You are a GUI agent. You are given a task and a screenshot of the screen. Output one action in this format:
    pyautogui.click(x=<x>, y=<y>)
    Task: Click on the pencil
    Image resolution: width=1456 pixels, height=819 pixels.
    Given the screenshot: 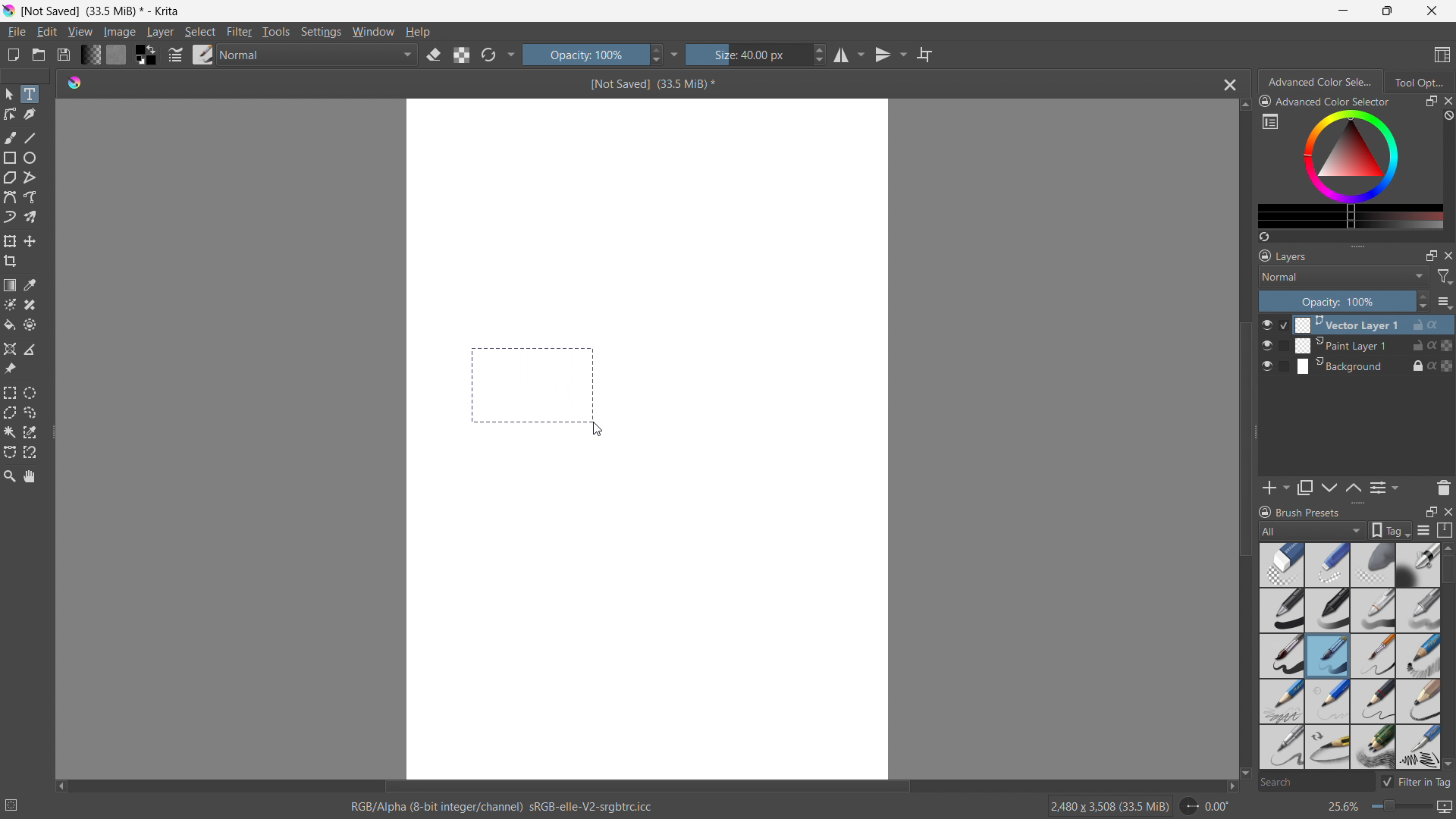 What is the action you would take?
    pyautogui.click(x=1373, y=610)
    